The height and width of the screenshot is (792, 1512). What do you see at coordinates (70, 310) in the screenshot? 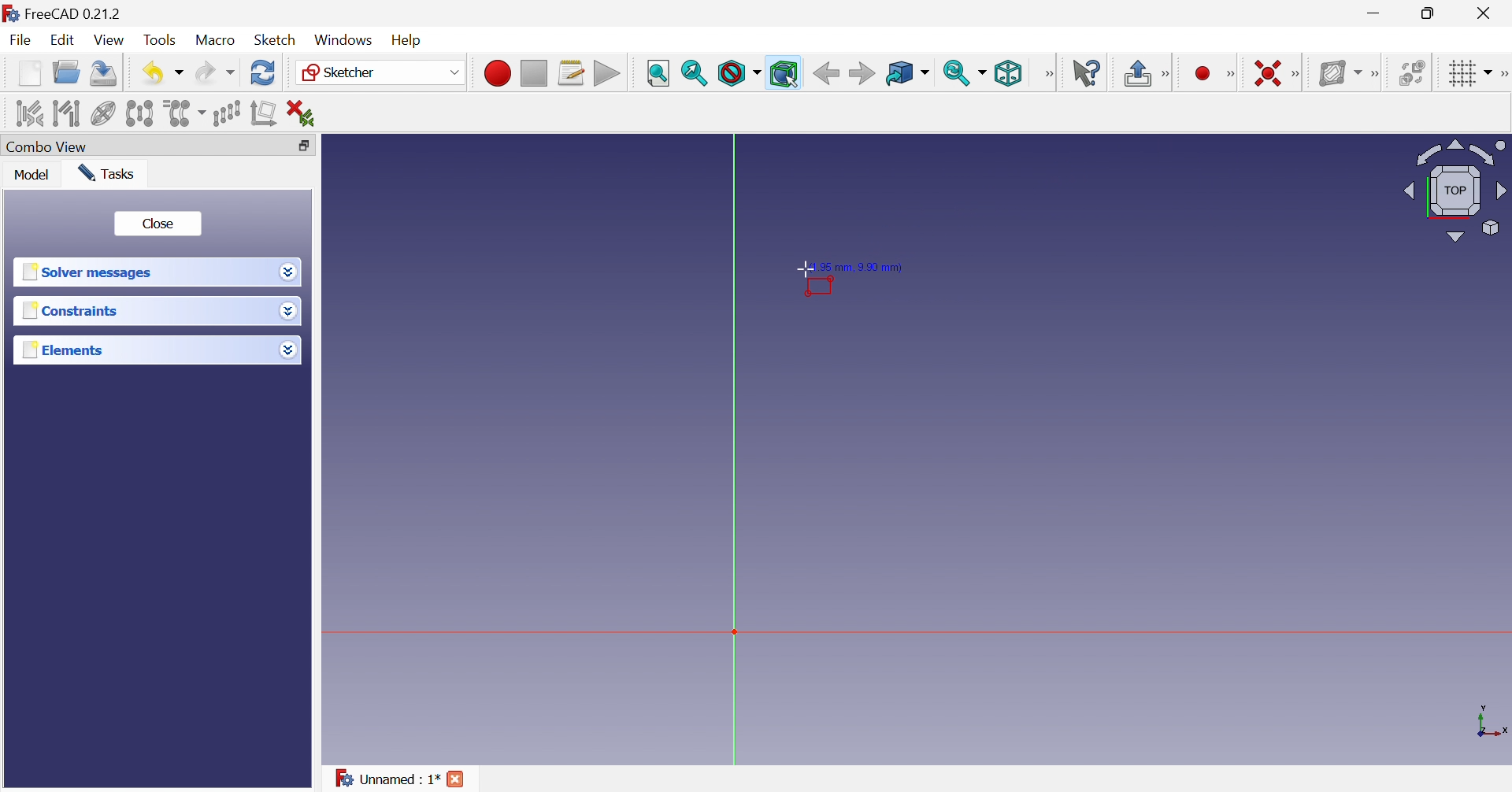
I see `Constraints` at bounding box center [70, 310].